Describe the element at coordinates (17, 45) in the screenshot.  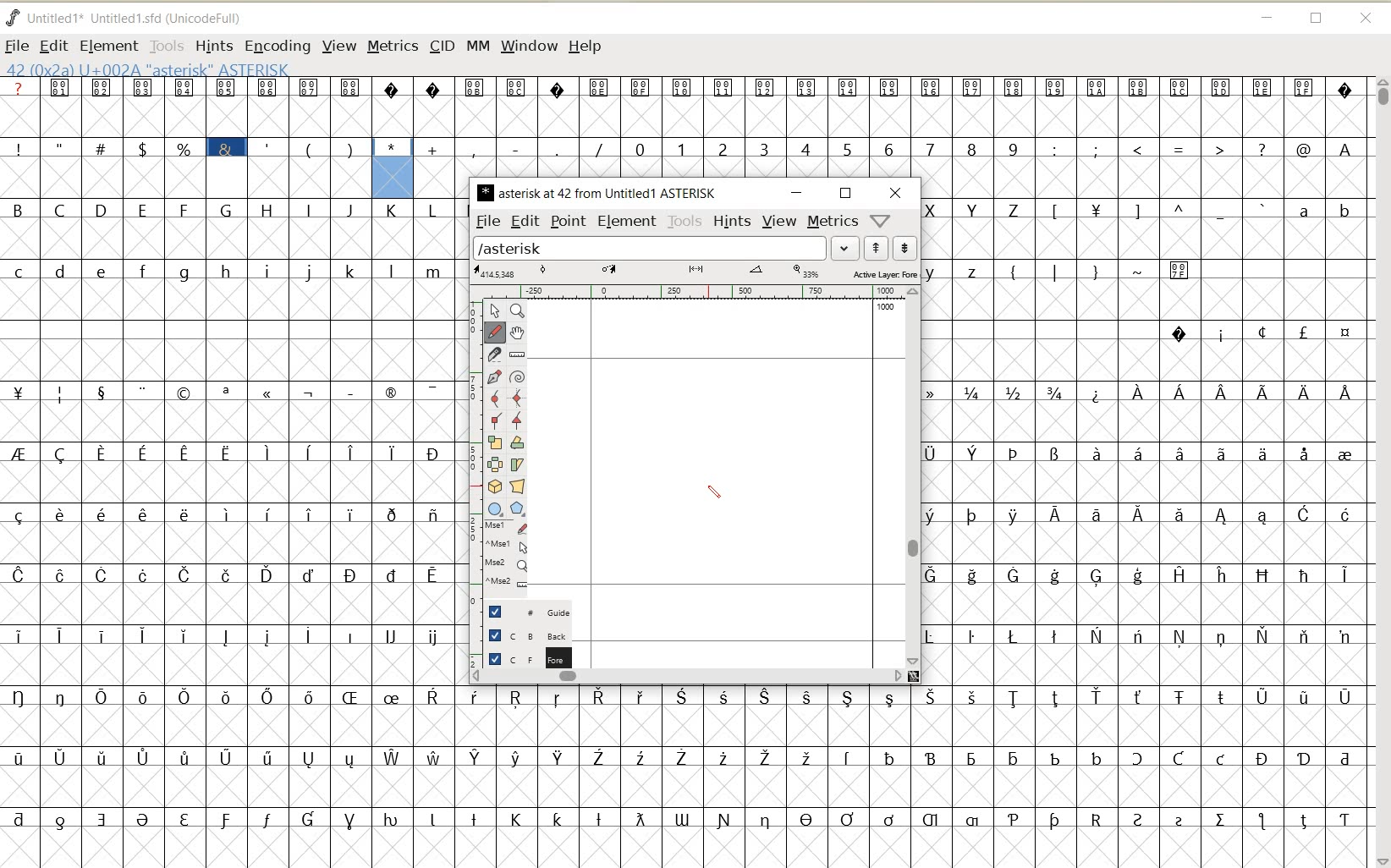
I see `FILE` at that location.